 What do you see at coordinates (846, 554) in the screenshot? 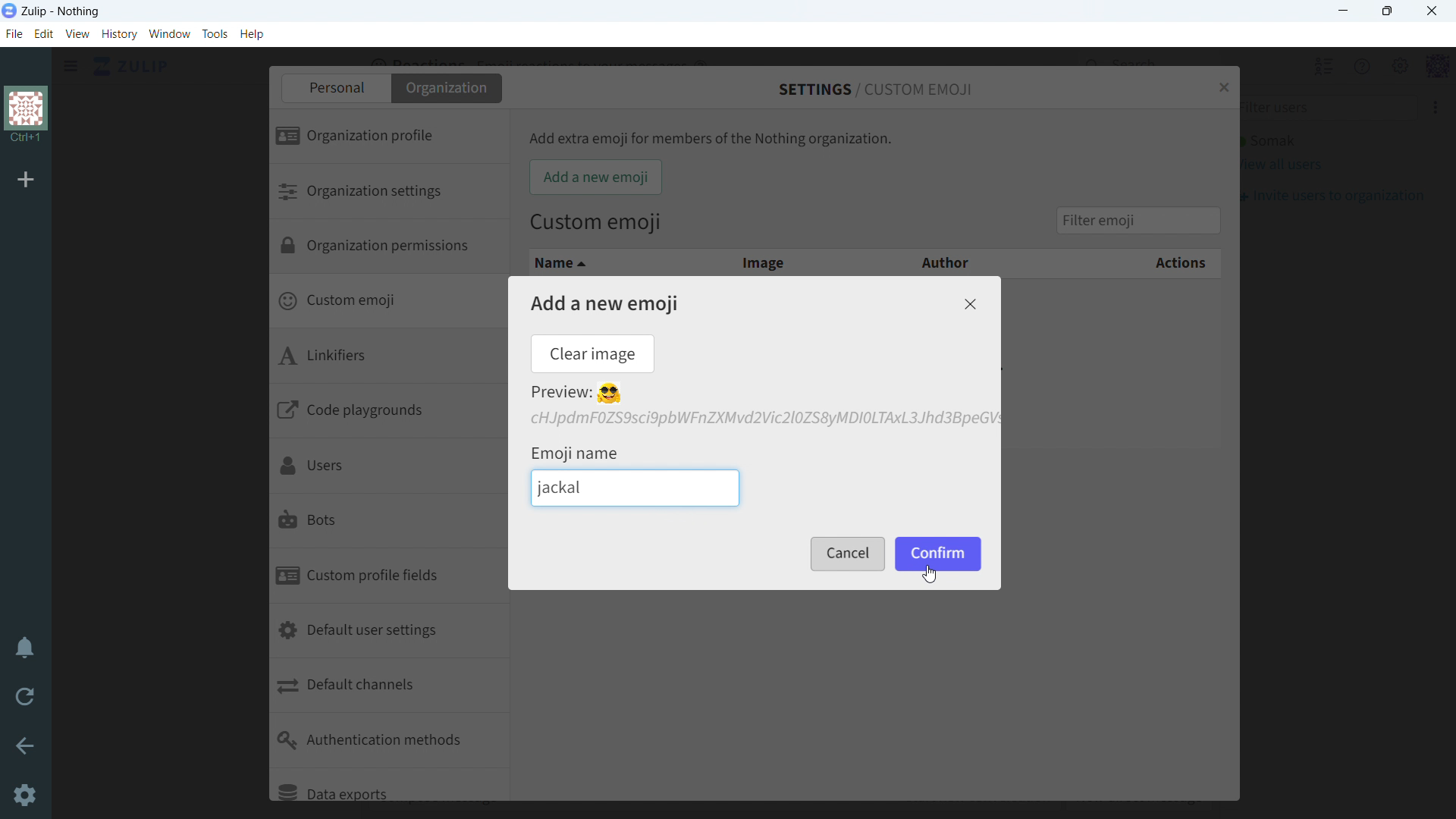
I see `cancel` at bounding box center [846, 554].